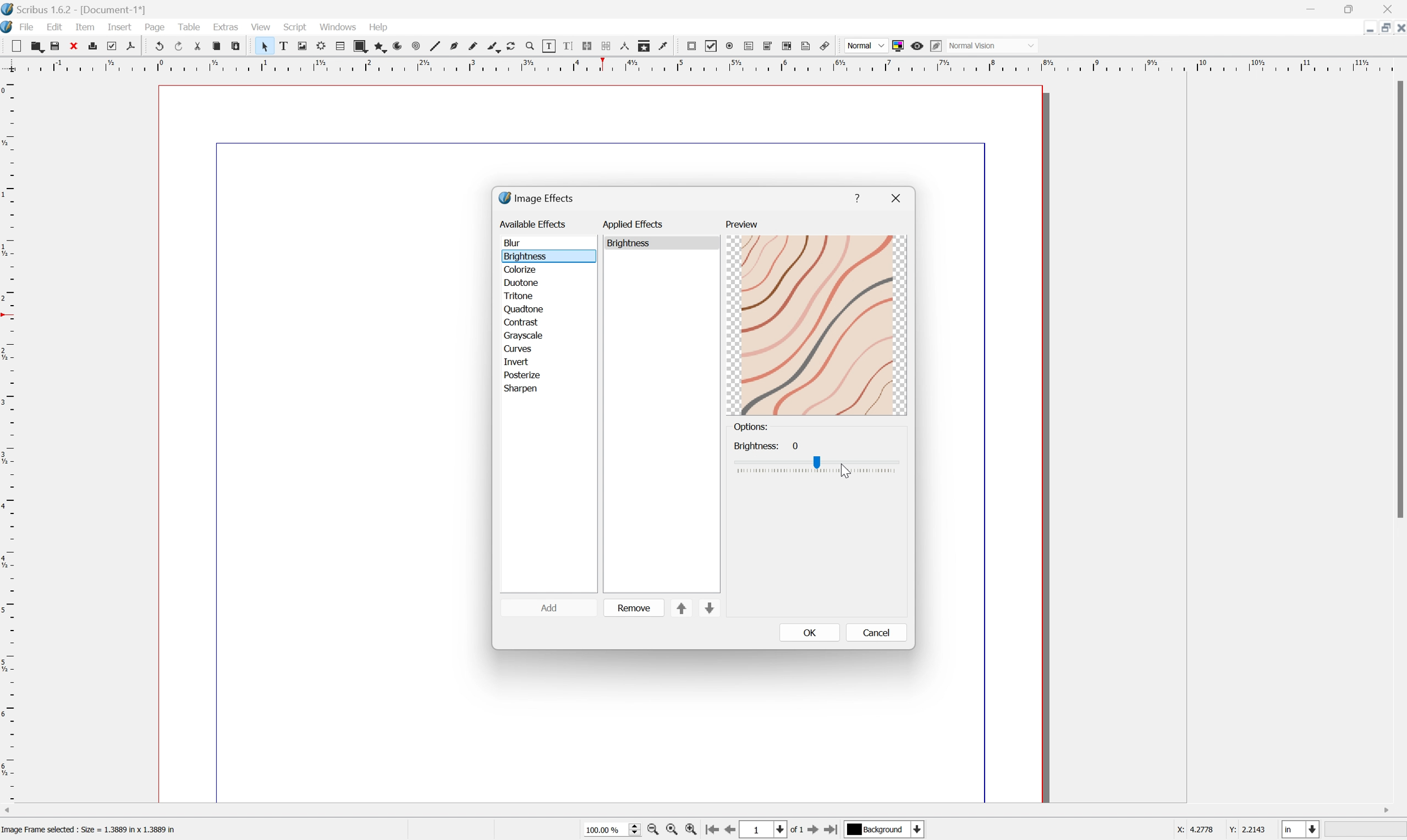 Image resolution: width=1407 pixels, height=840 pixels. Describe the element at coordinates (119, 27) in the screenshot. I see `Insert` at that location.